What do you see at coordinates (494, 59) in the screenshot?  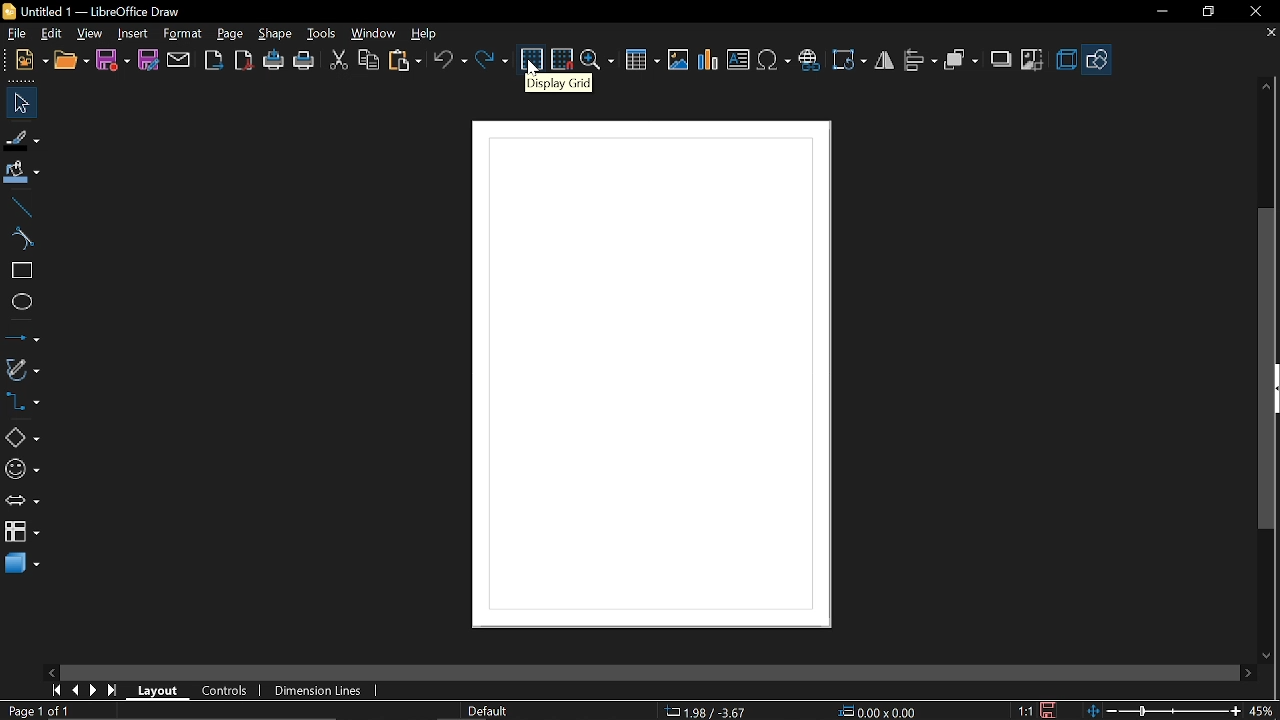 I see `redo` at bounding box center [494, 59].